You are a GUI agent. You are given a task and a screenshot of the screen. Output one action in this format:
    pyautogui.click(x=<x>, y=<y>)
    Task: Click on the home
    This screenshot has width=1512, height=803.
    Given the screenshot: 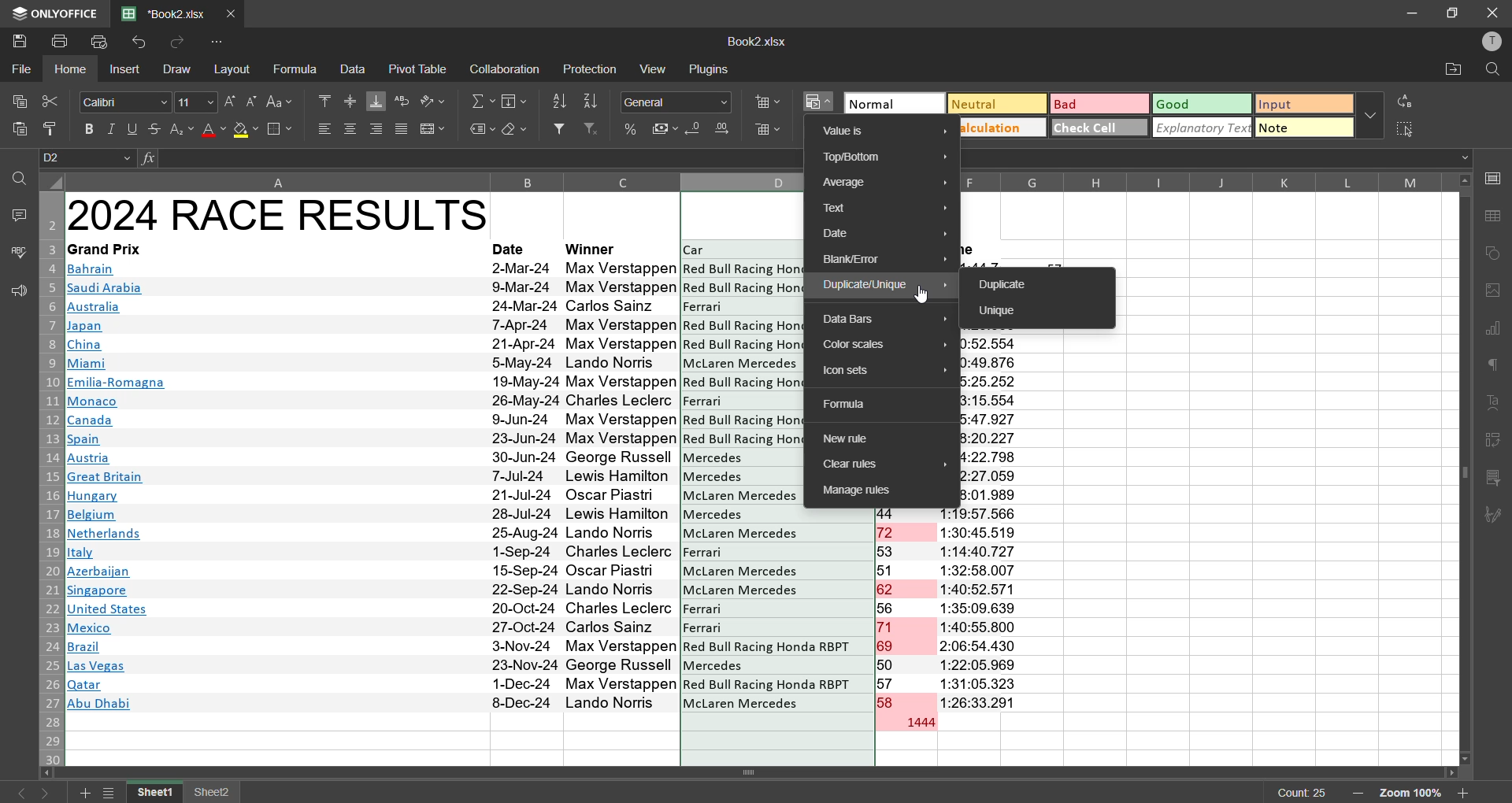 What is the action you would take?
    pyautogui.click(x=74, y=69)
    